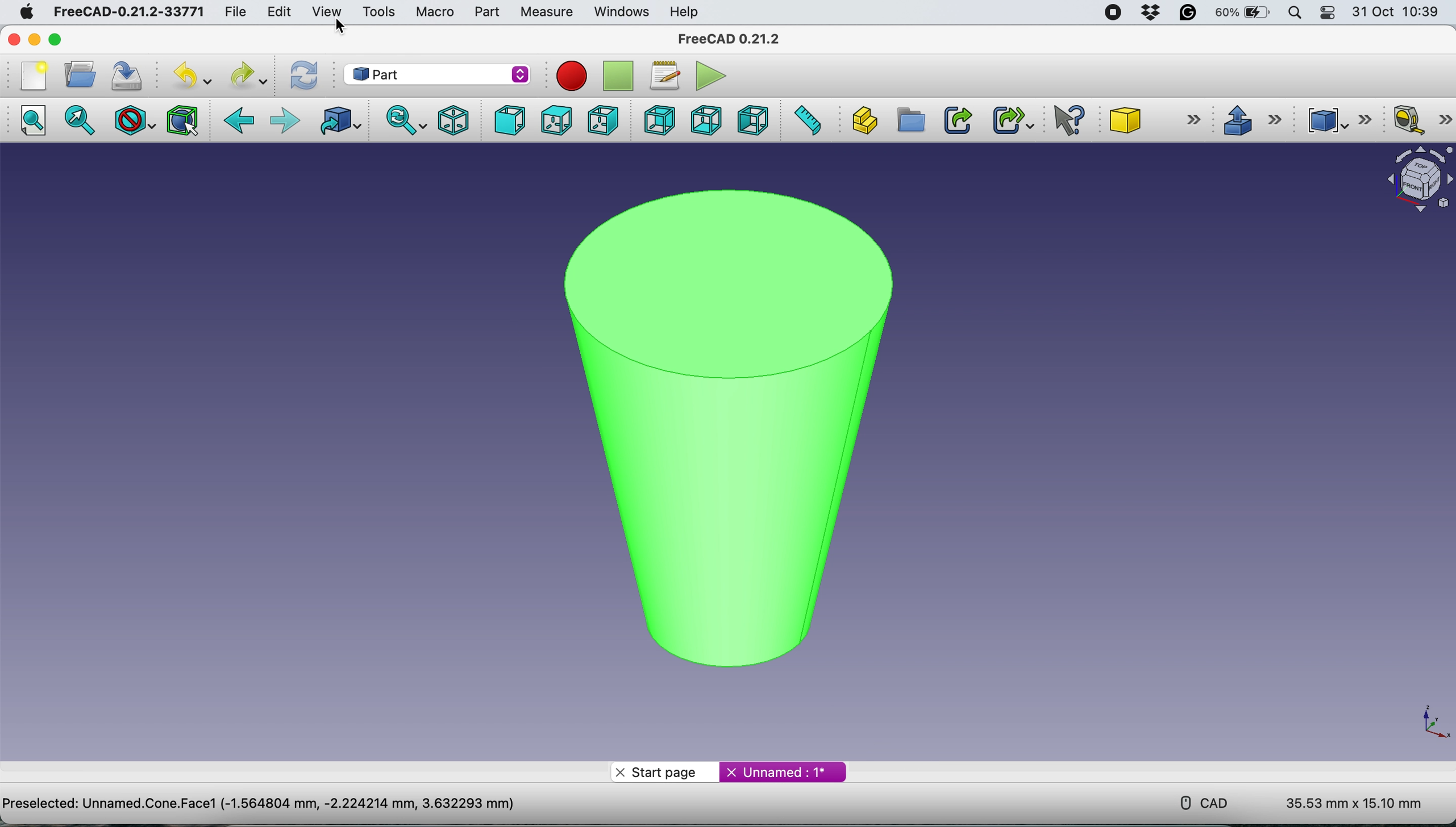 The width and height of the screenshot is (1456, 827). Describe the element at coordinates (284, 121) in the screenshot. I see `forward` at that location.